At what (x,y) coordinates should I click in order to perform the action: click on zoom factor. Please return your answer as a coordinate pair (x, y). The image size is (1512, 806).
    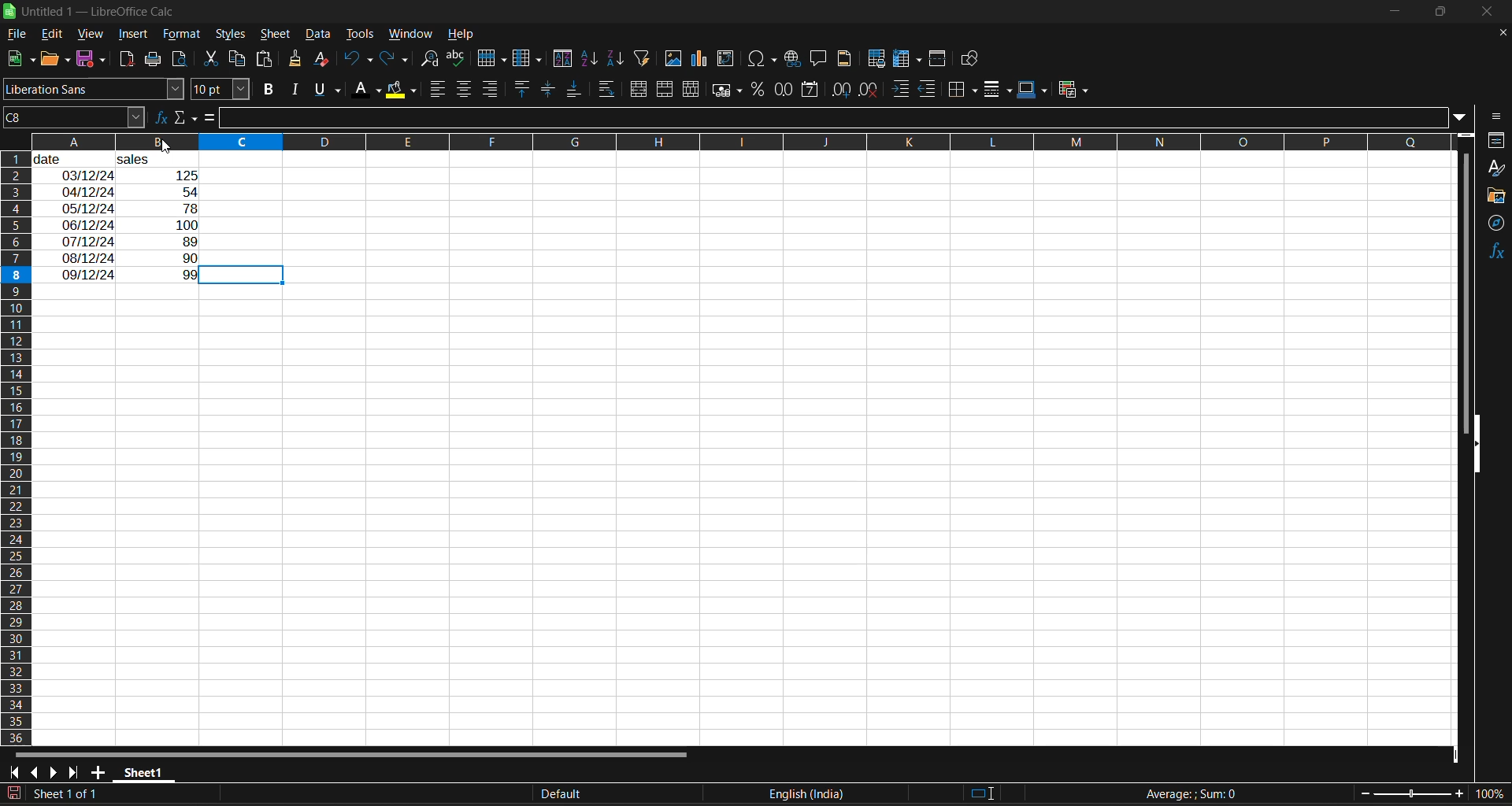
    Looking at the image, I should click on (1487, 795).